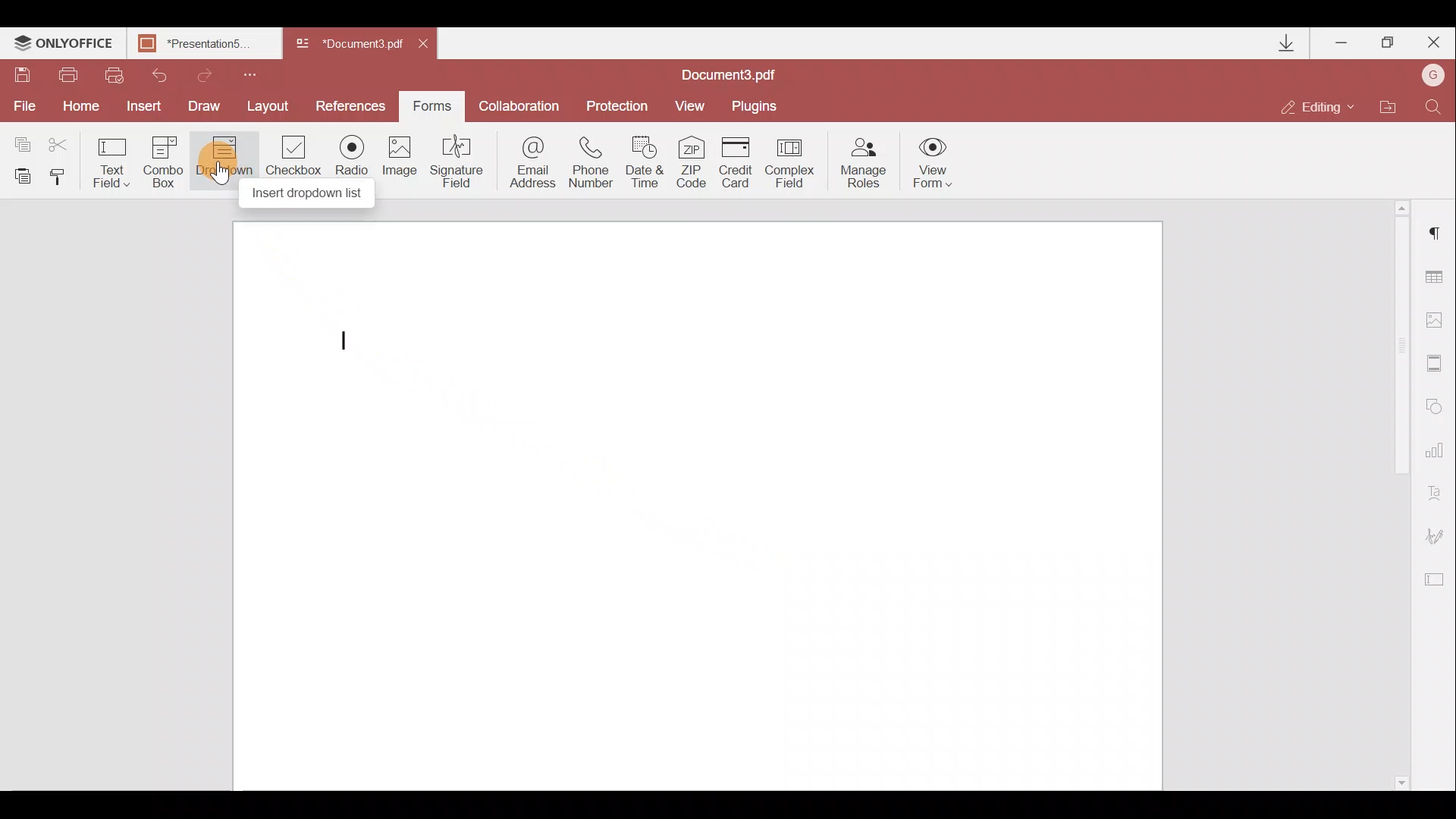 The height and width of the screenshot is (819, 1456). What do you see at coordinates (85, 107) in the screenshot?
I see `Home` at bounding box center [85, 107].